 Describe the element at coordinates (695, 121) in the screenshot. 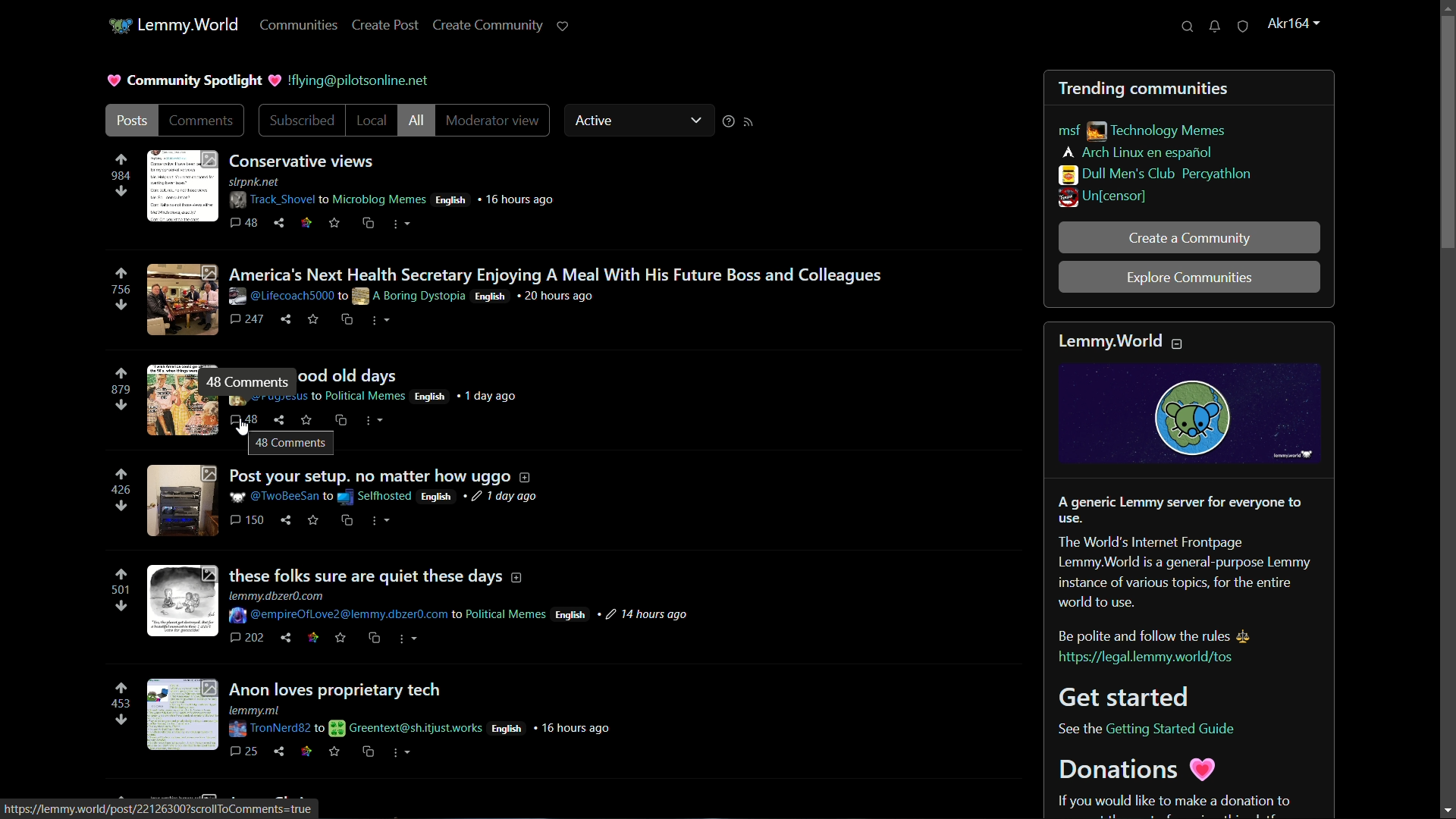

I see `dropdown` at that location.